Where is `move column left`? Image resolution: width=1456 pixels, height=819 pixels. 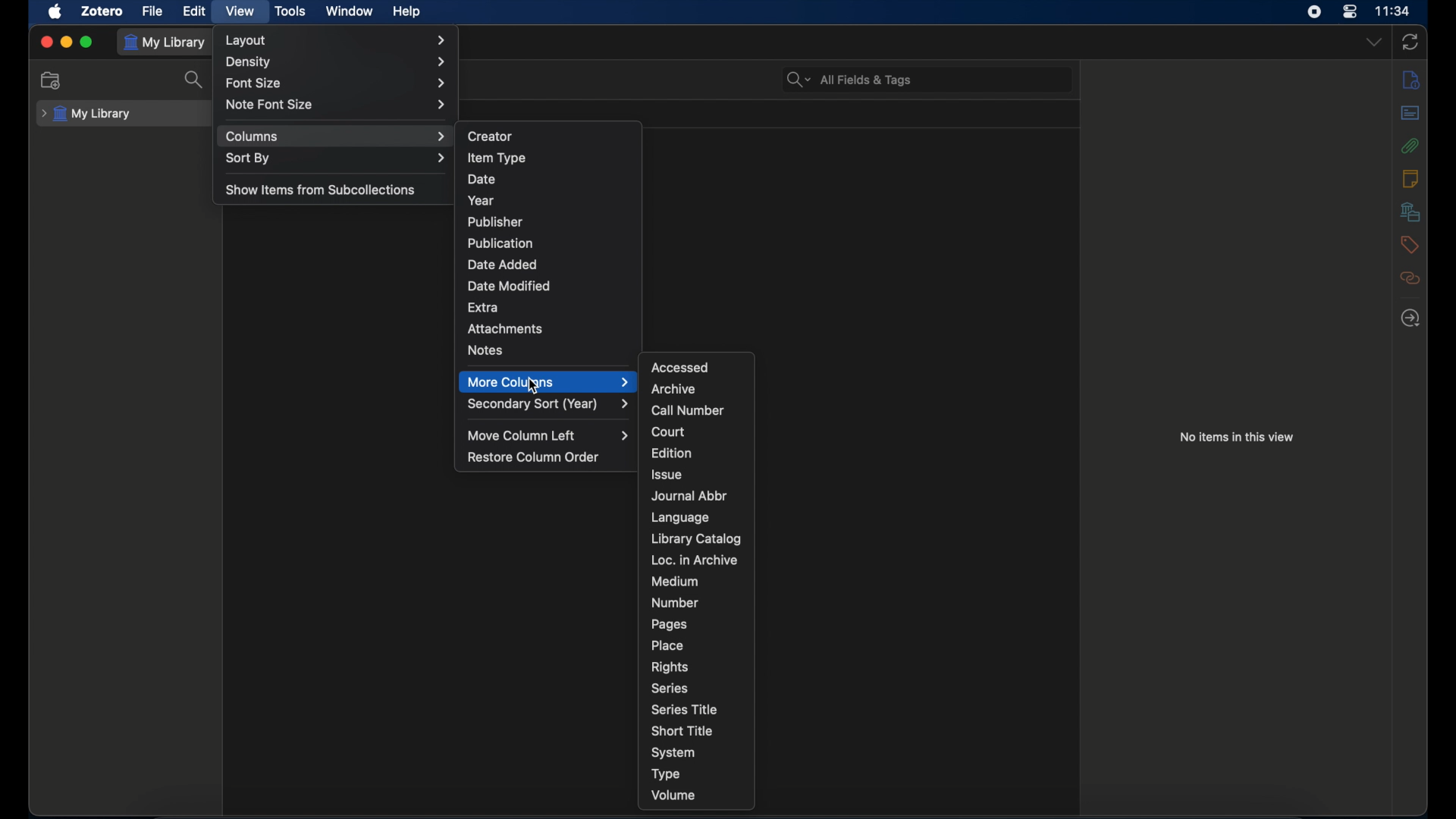 move column left is located at coordinates (547, 435).